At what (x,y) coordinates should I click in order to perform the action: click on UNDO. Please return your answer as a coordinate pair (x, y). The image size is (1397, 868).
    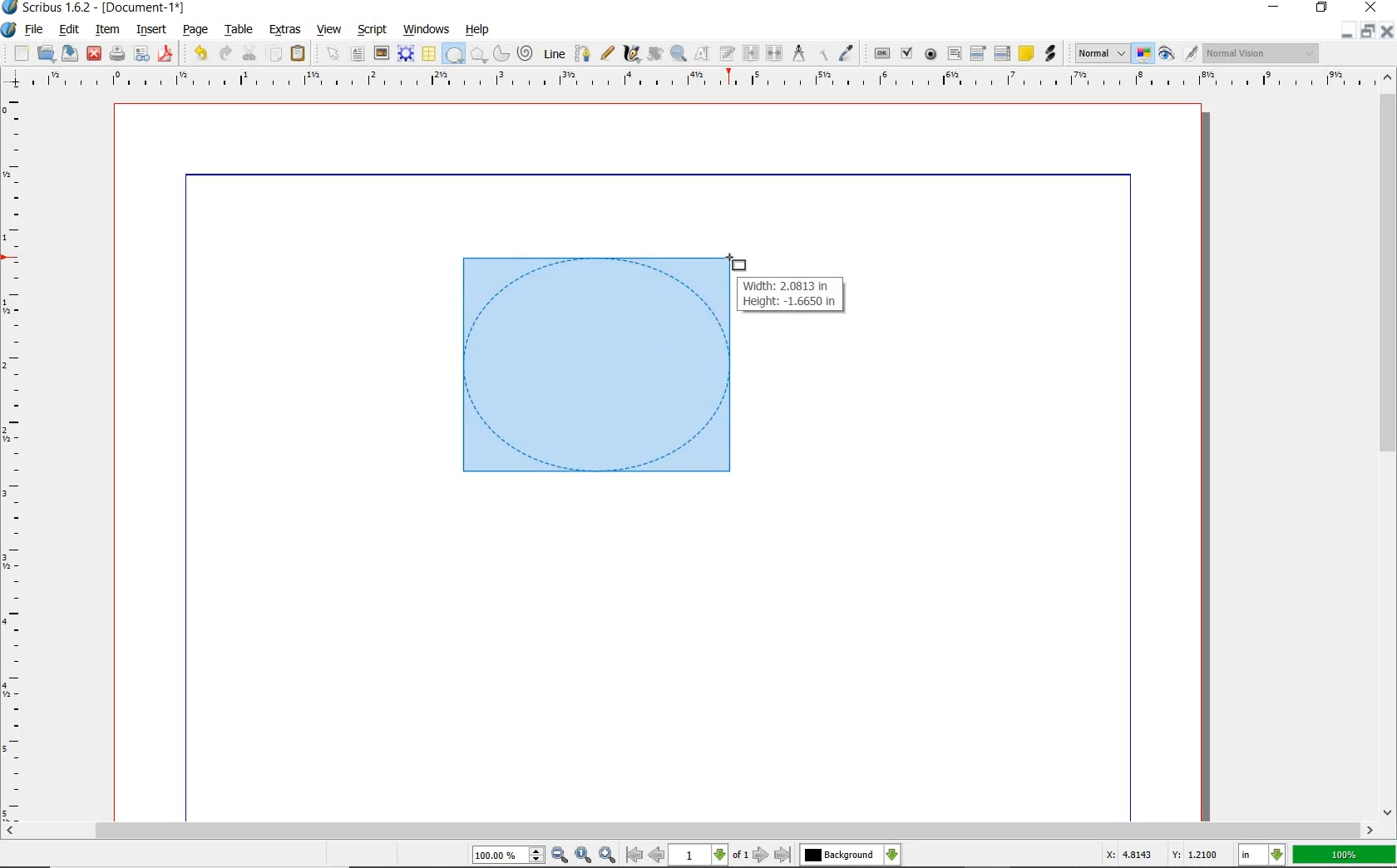
    Looking at the image, I should click on (200, 53).